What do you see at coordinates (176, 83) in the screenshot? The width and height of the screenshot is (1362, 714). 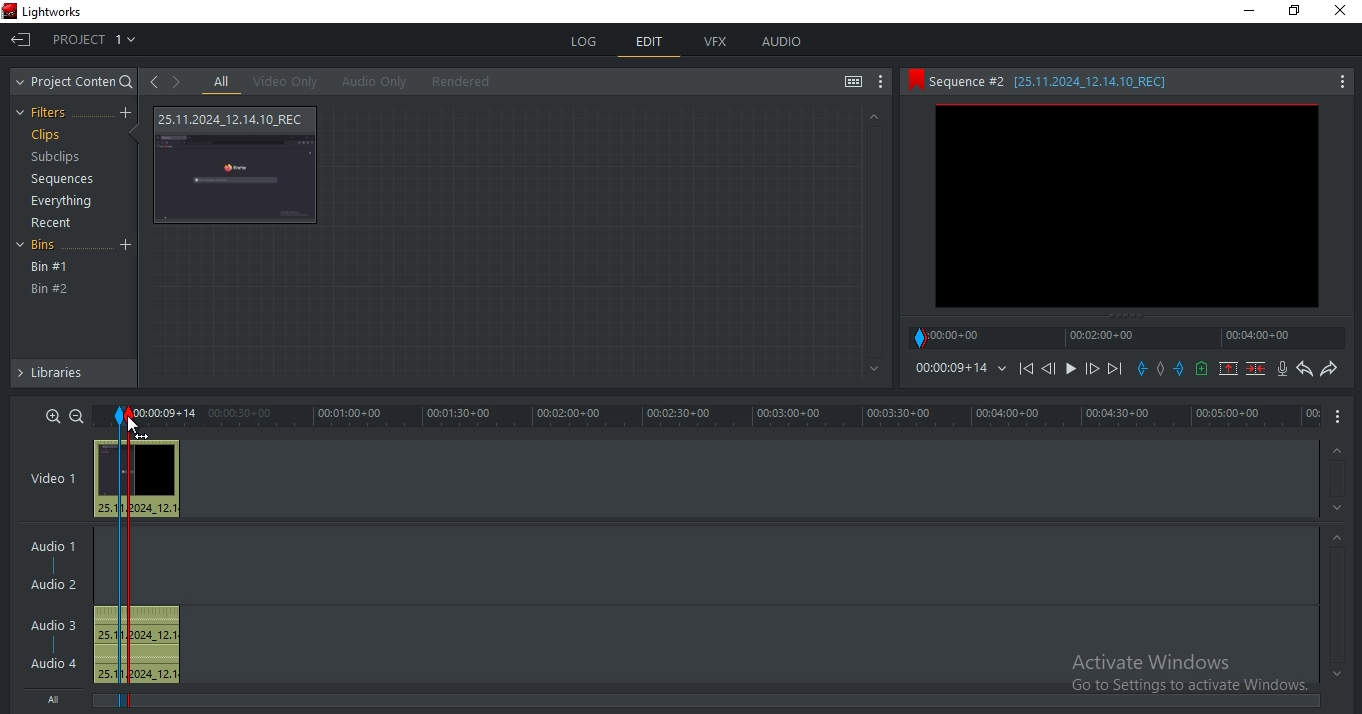 I see `` at bounding box center [176, 83].